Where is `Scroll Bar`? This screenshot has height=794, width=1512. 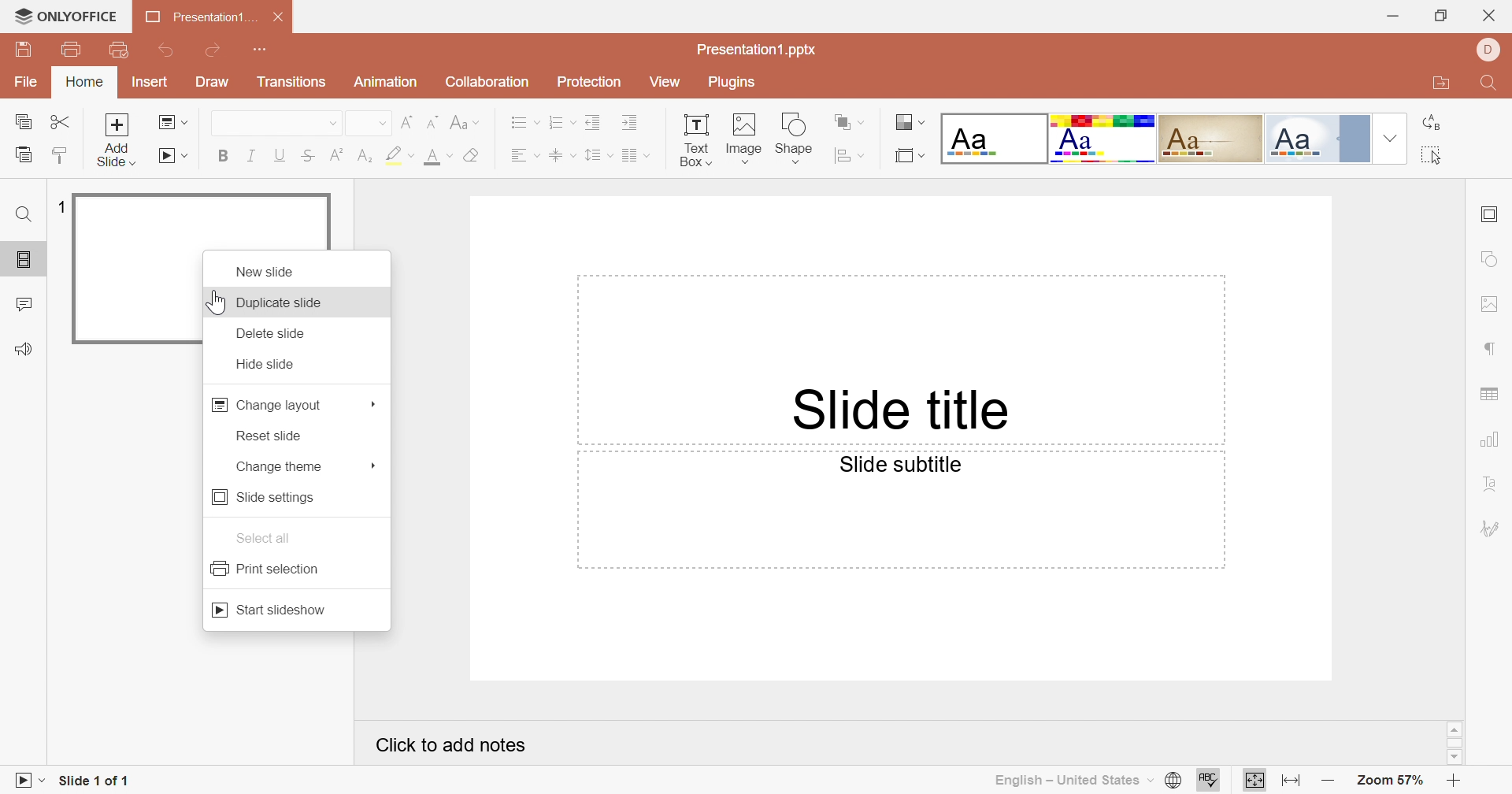 Scroll Bar is located at coordinates (1454, 742).